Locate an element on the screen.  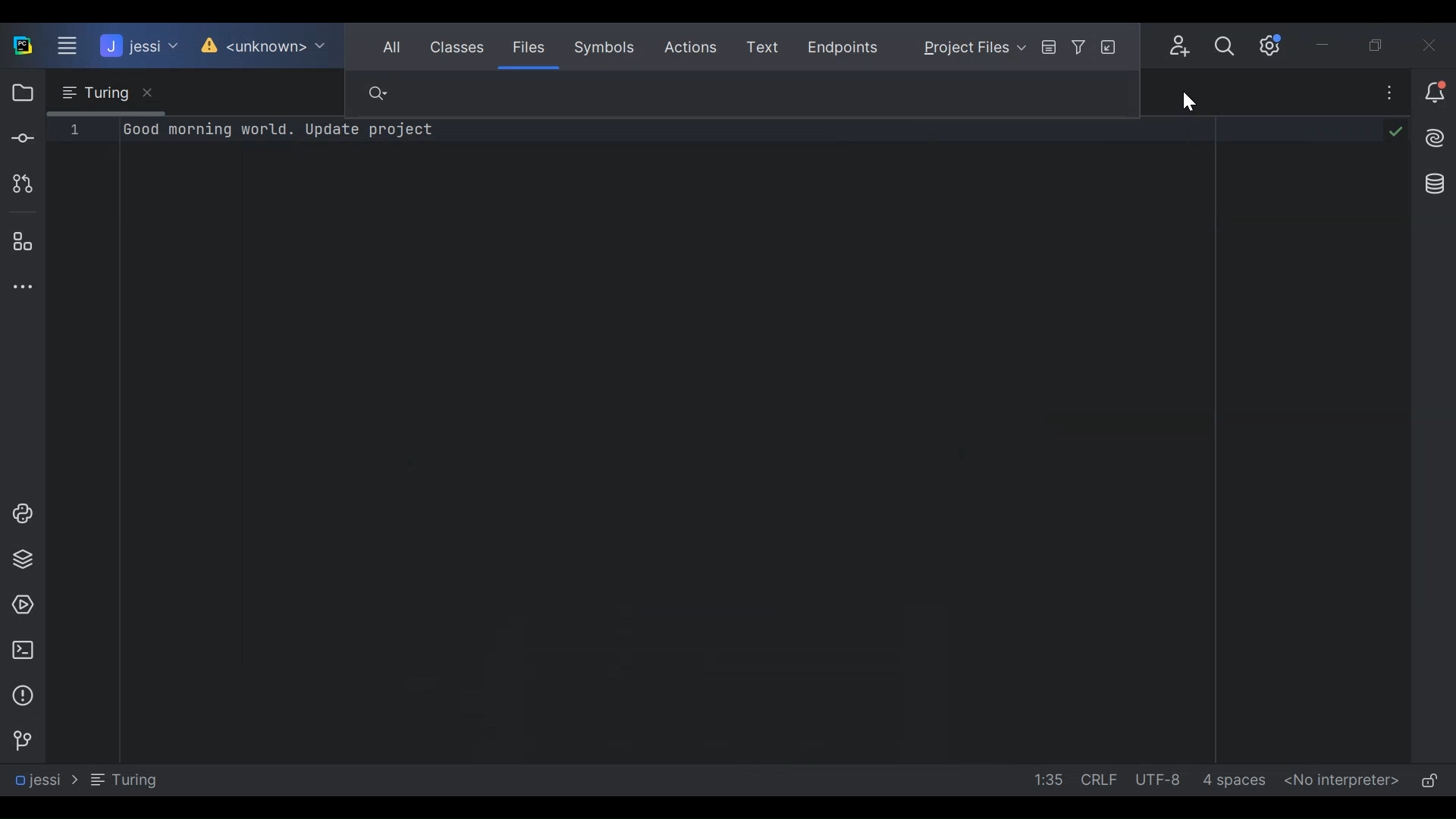
AI Assistant is located at coordinates (1438, 140).